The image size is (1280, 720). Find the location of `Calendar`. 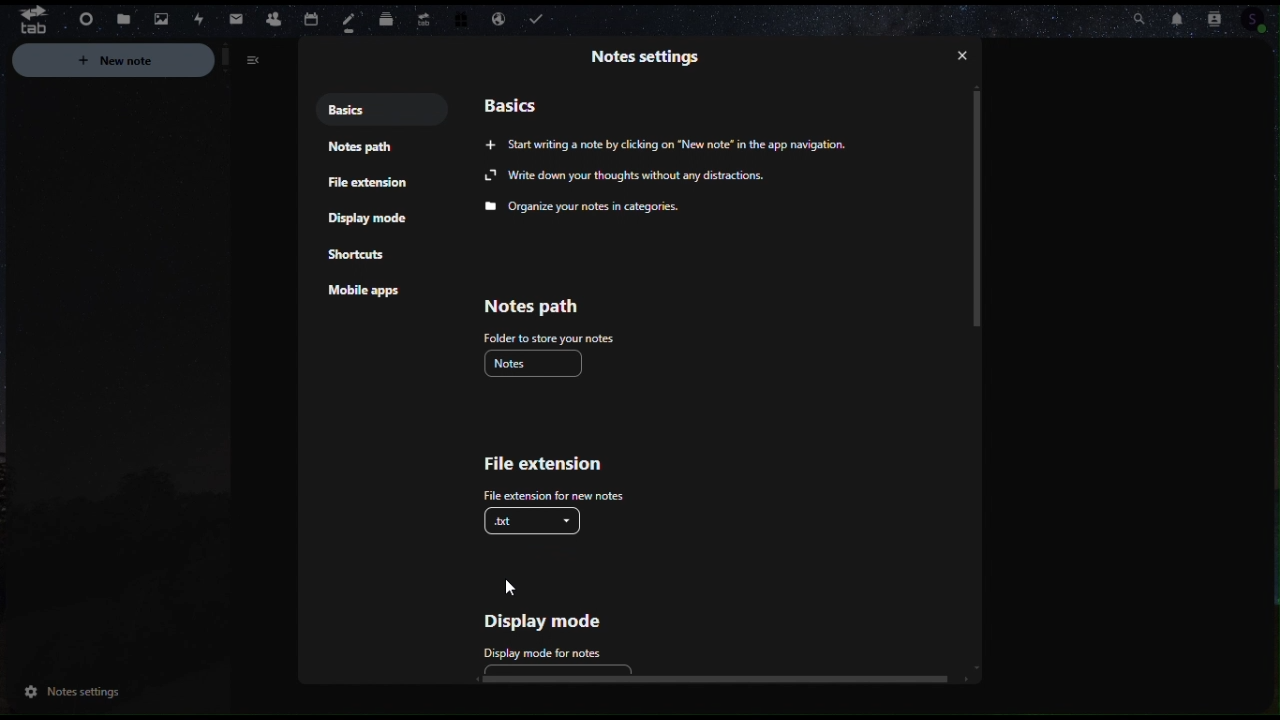

Calendar is located at coordinates (309, 17).